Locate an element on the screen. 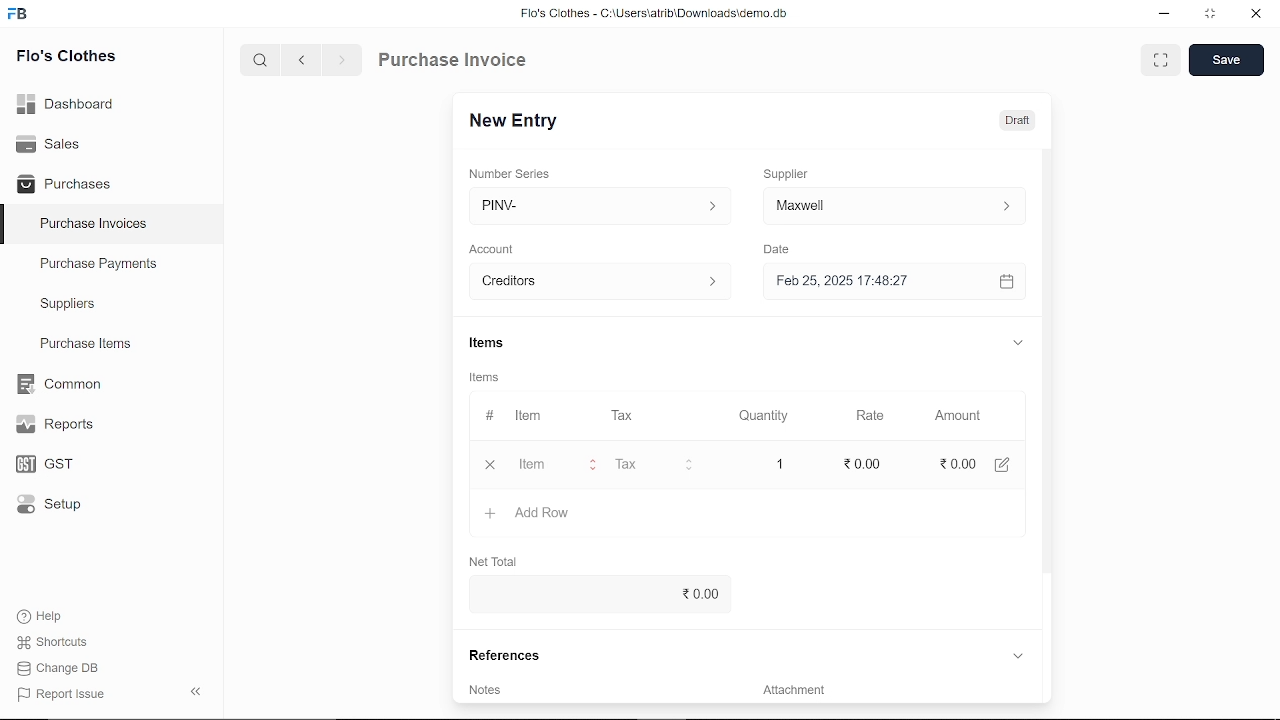 Image resolution: width=1280 pixels, height=720 pixels. input Item is located at coordinates (554, 464).